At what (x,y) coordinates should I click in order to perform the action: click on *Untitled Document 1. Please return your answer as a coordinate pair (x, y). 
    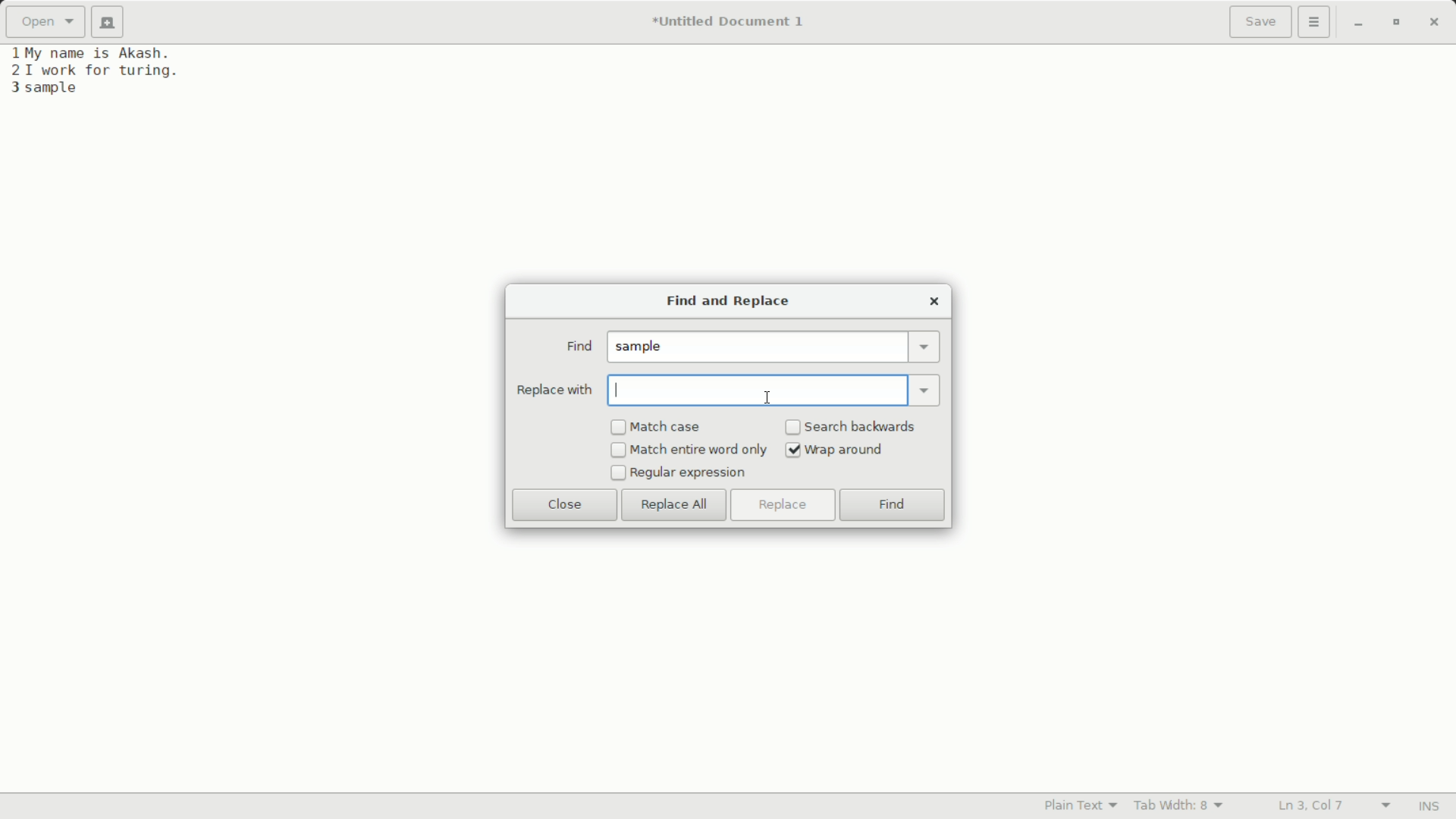
    Looking at the image, I should click on (728, 24).